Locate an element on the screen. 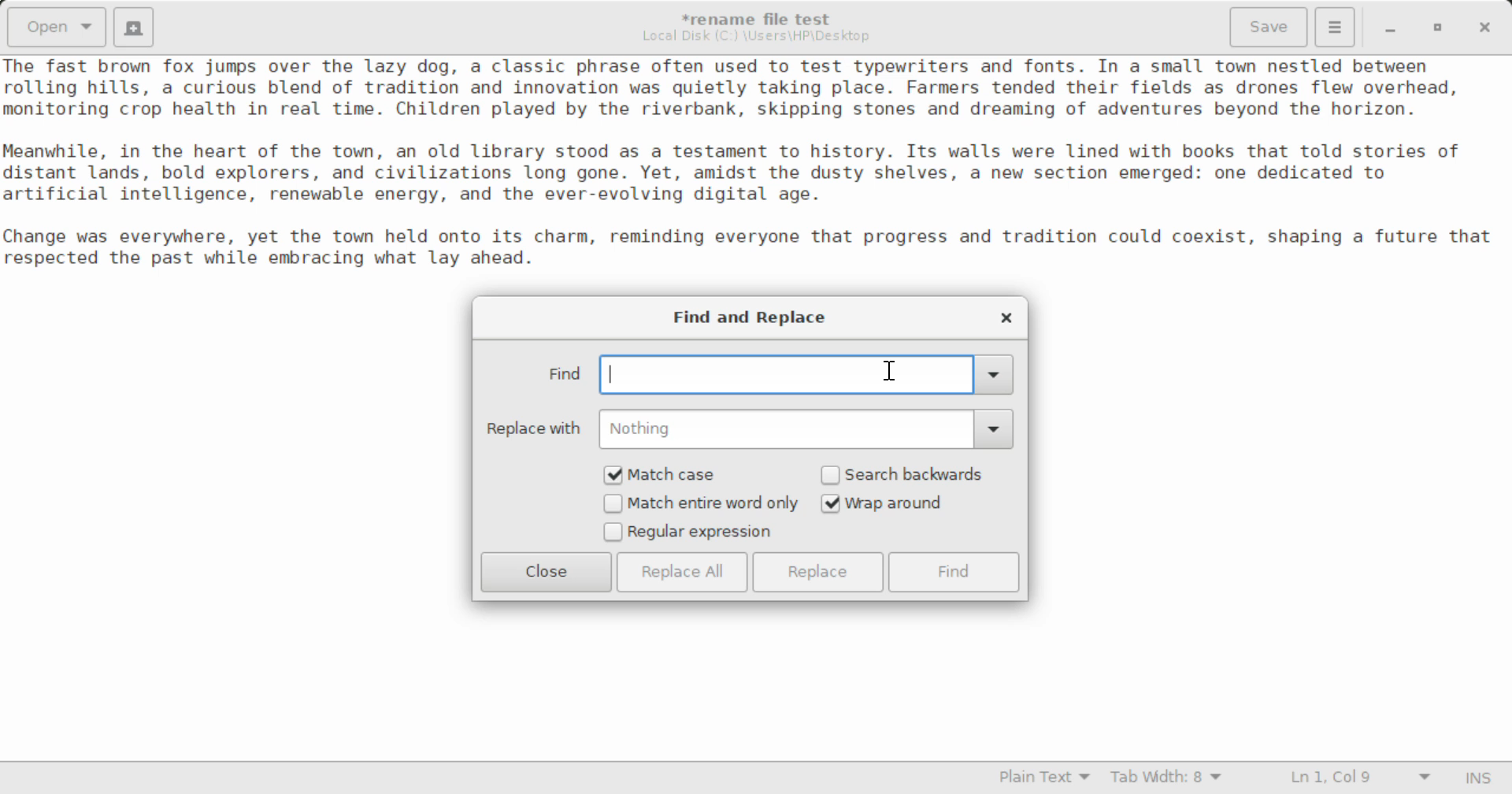  Find and Replace Window Heading is located at coordinates (751, 318).